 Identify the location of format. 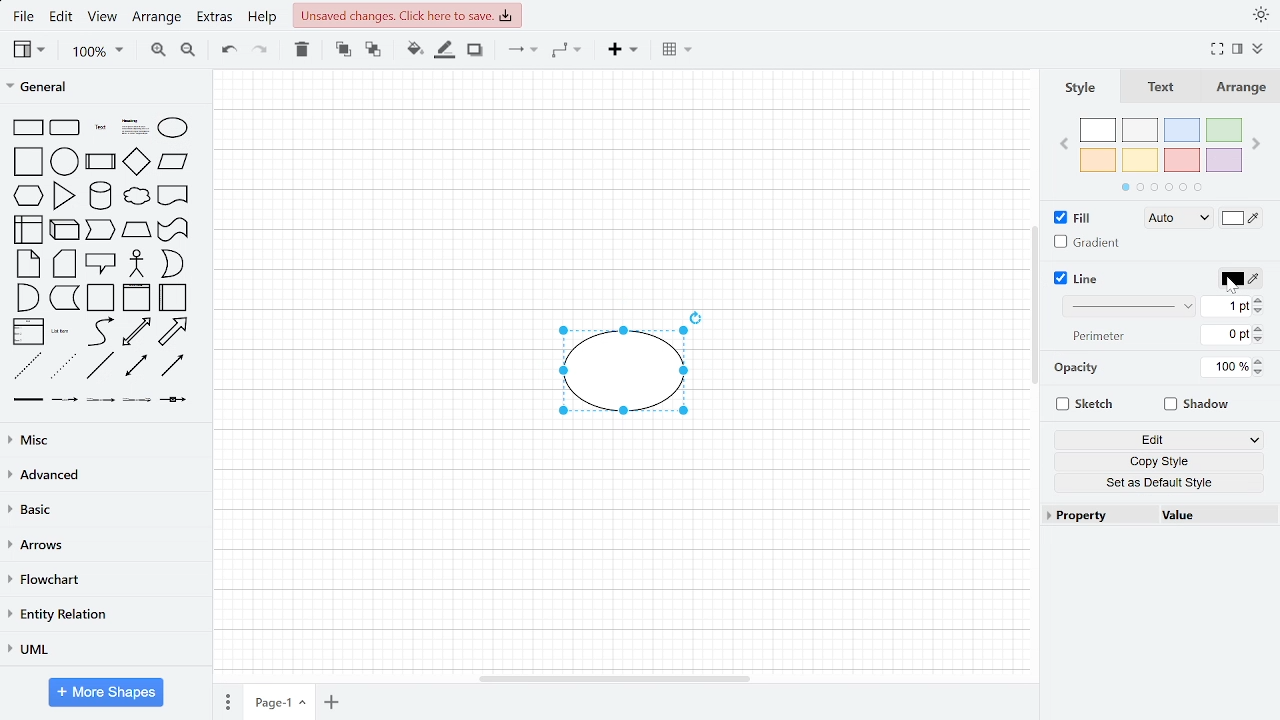
(1237, 49).